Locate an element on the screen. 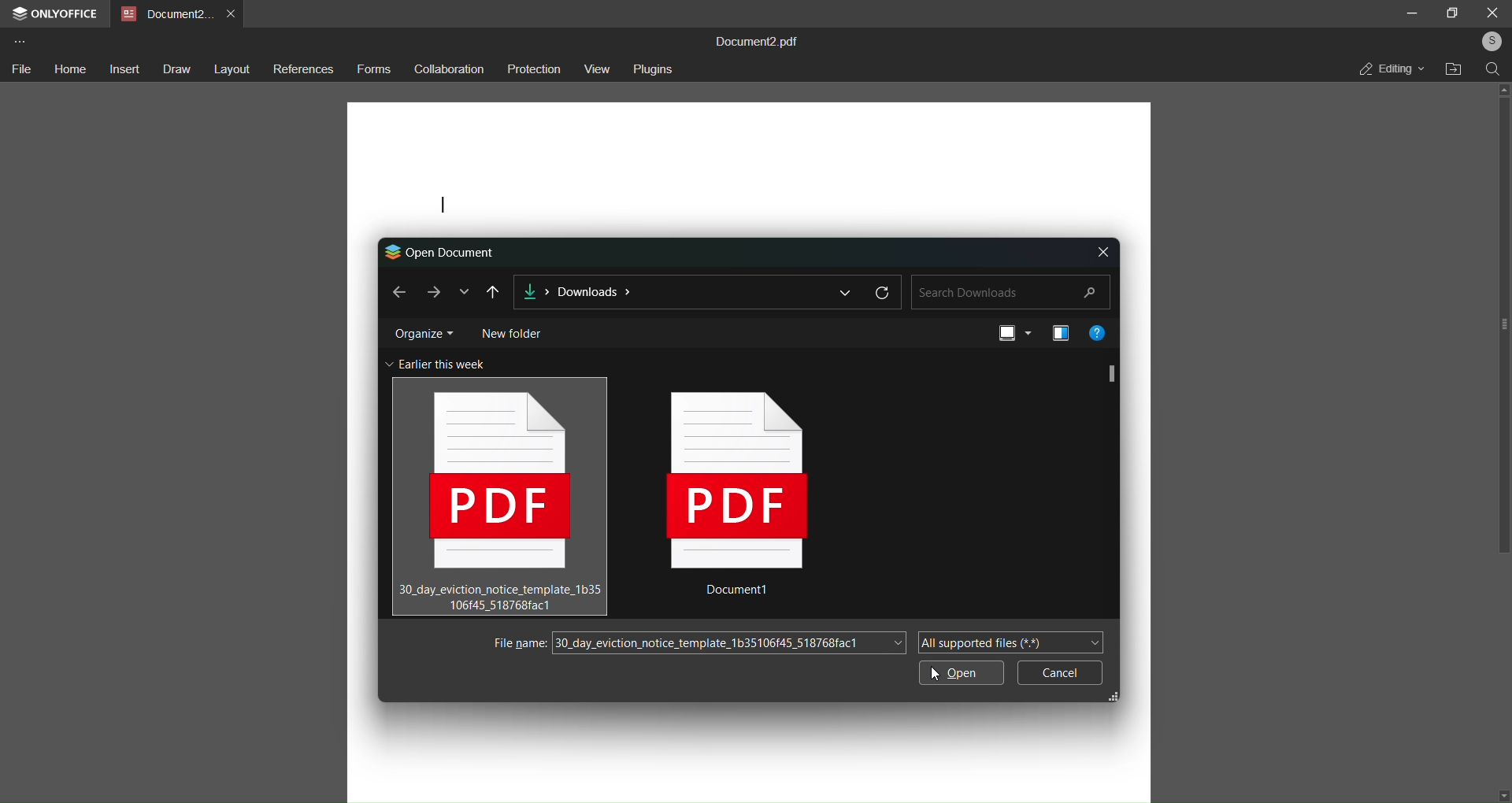 The height and width of the screenshot is (803, 1512). file type is located at coordinates (1009, 642).